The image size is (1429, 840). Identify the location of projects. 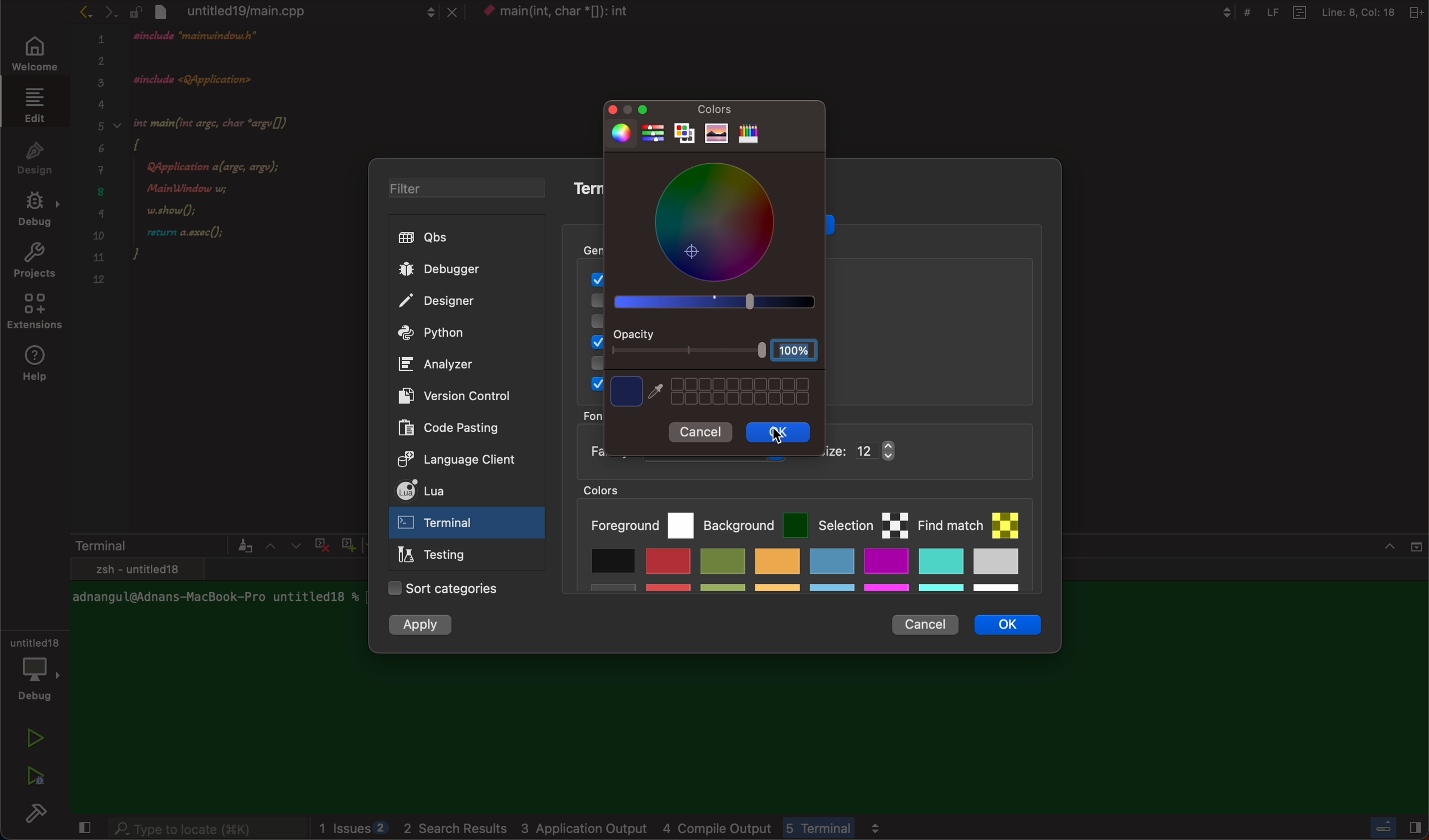
(34, 263).